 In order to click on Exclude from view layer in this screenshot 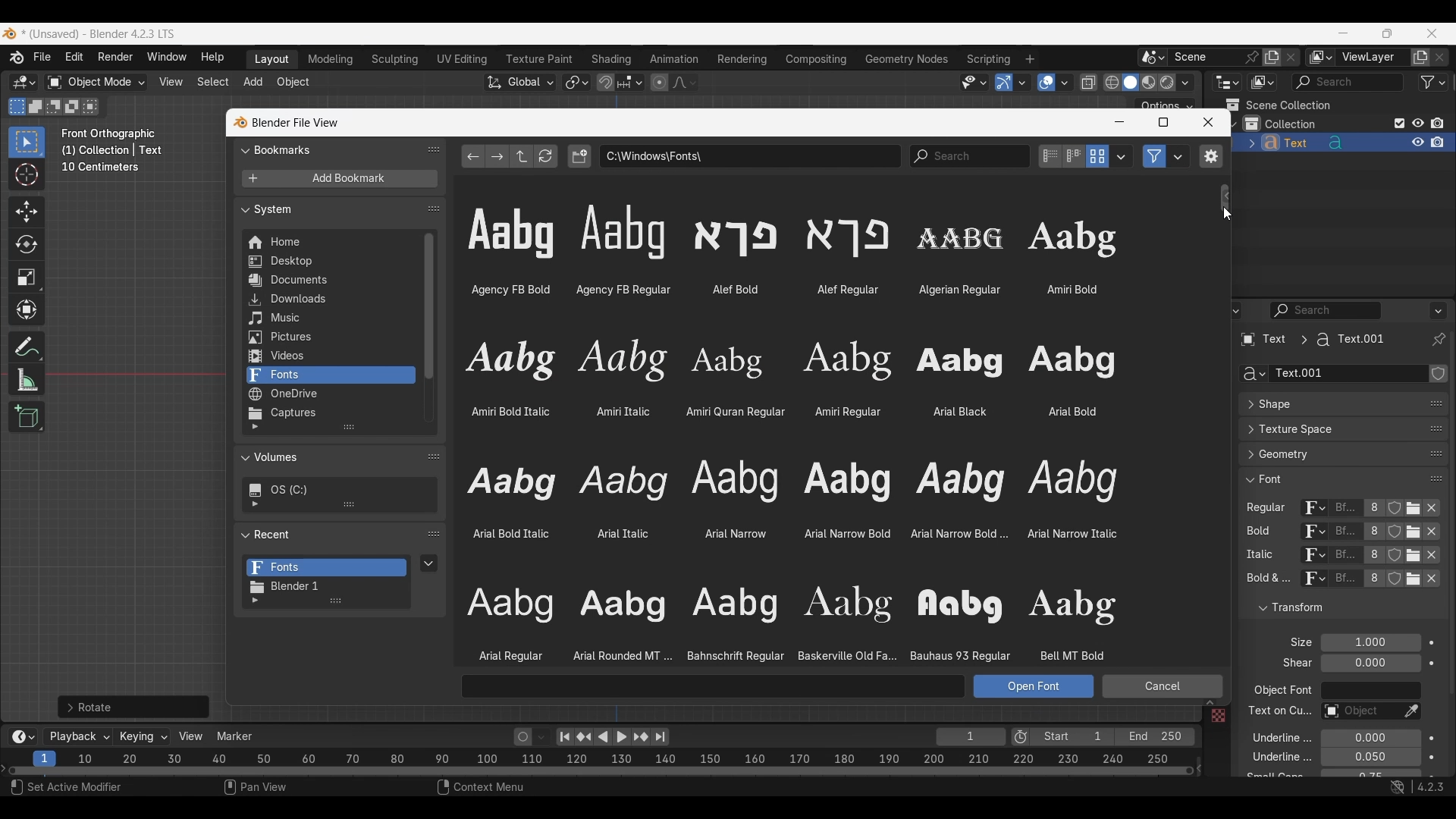, I will do `click(1400, 123)`.